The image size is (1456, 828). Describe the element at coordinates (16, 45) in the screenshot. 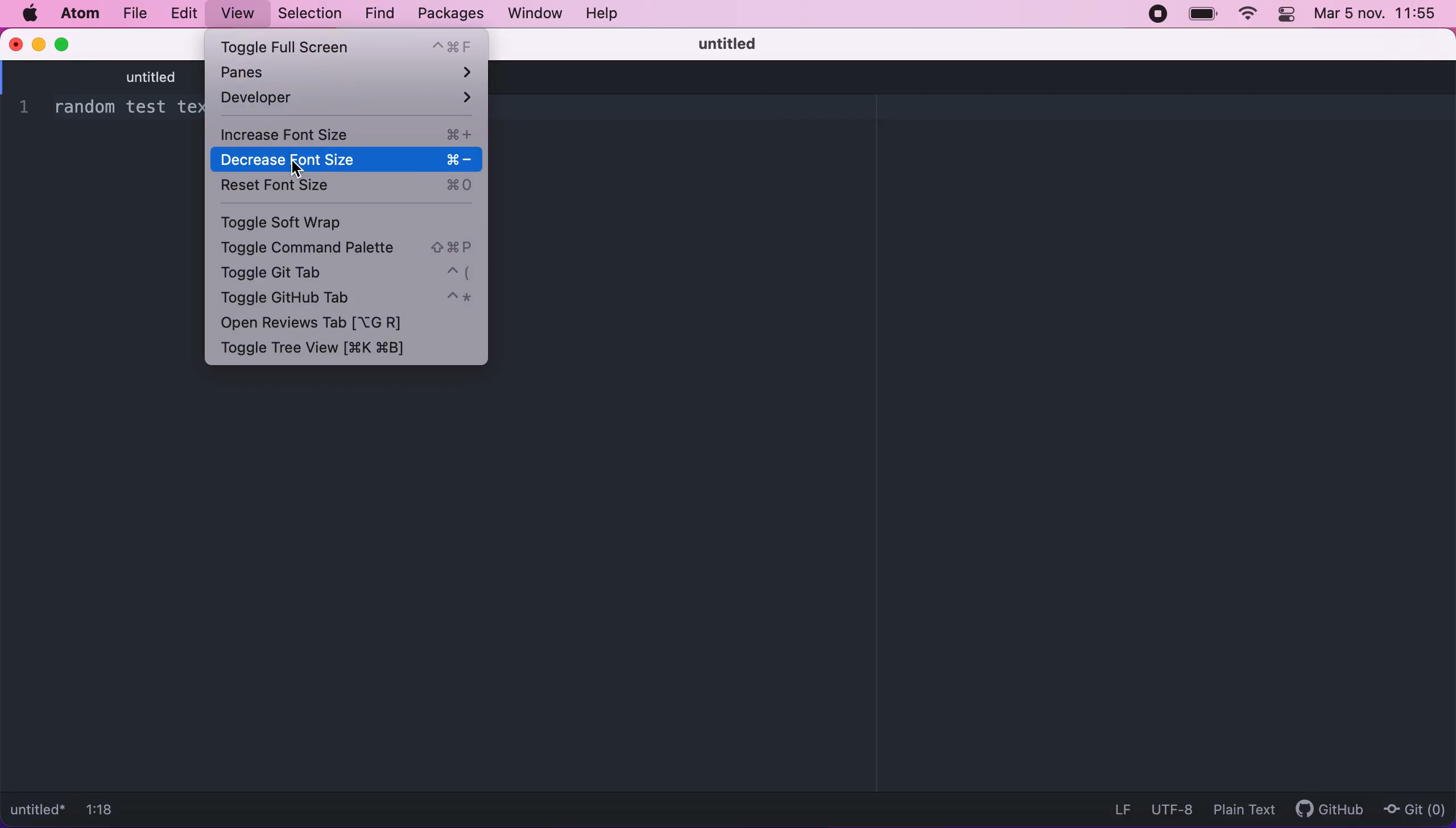

I see `close` at that location.